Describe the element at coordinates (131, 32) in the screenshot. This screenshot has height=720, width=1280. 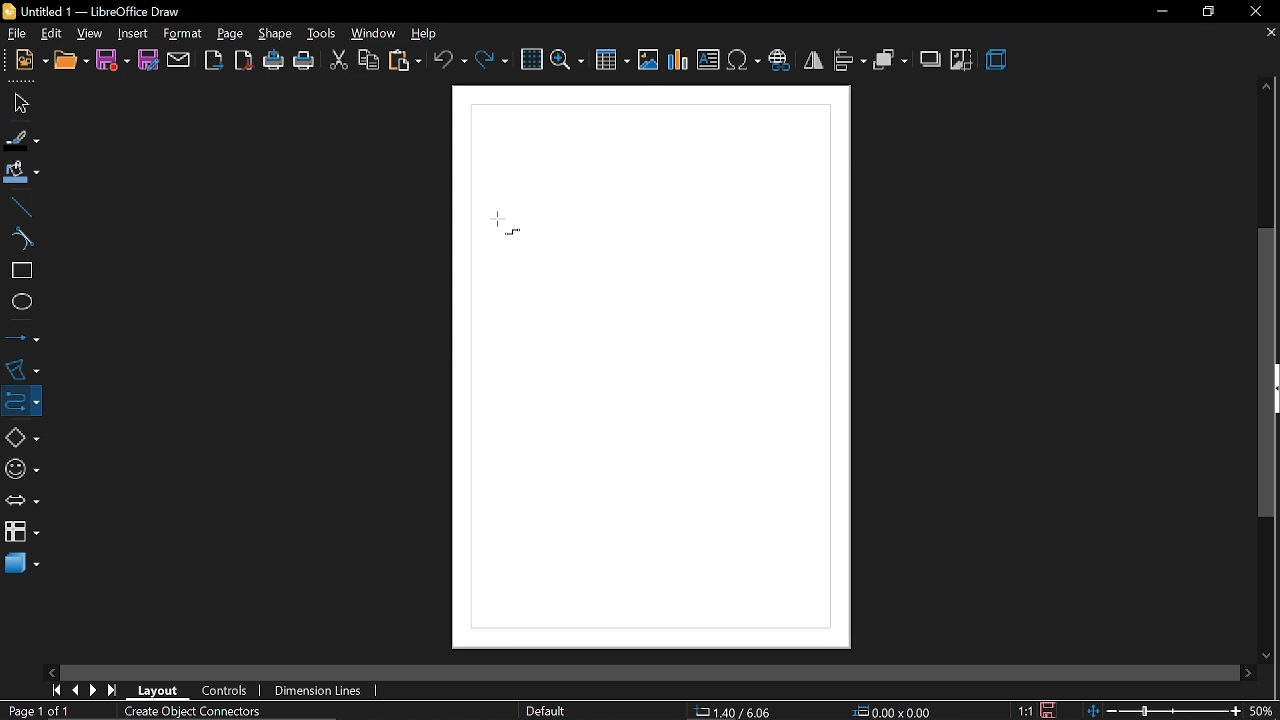
I see `Insert` at that location.